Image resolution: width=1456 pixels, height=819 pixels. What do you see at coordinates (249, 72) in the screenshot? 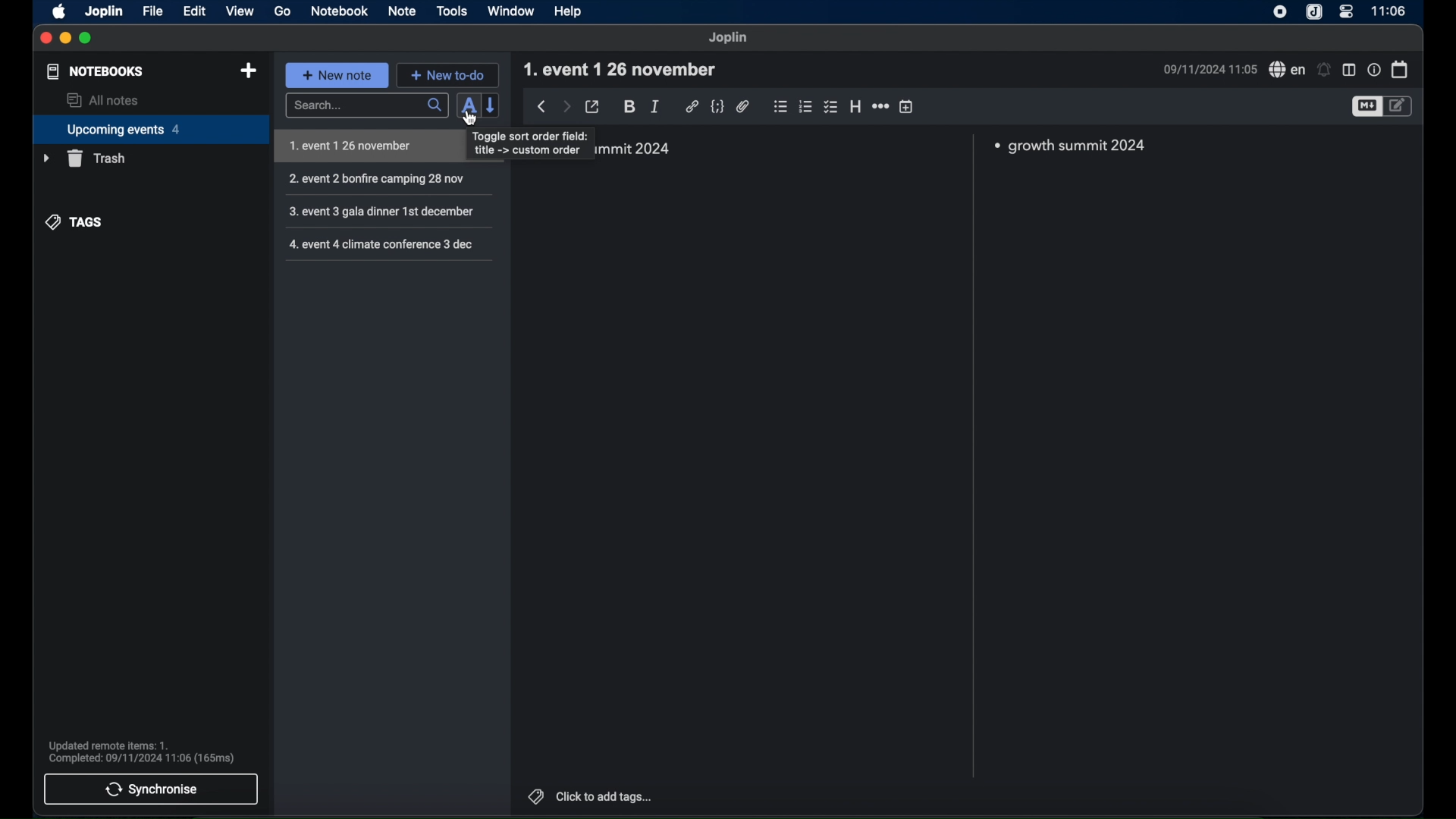
I see `new notebook` at bounding box center [249, 72].